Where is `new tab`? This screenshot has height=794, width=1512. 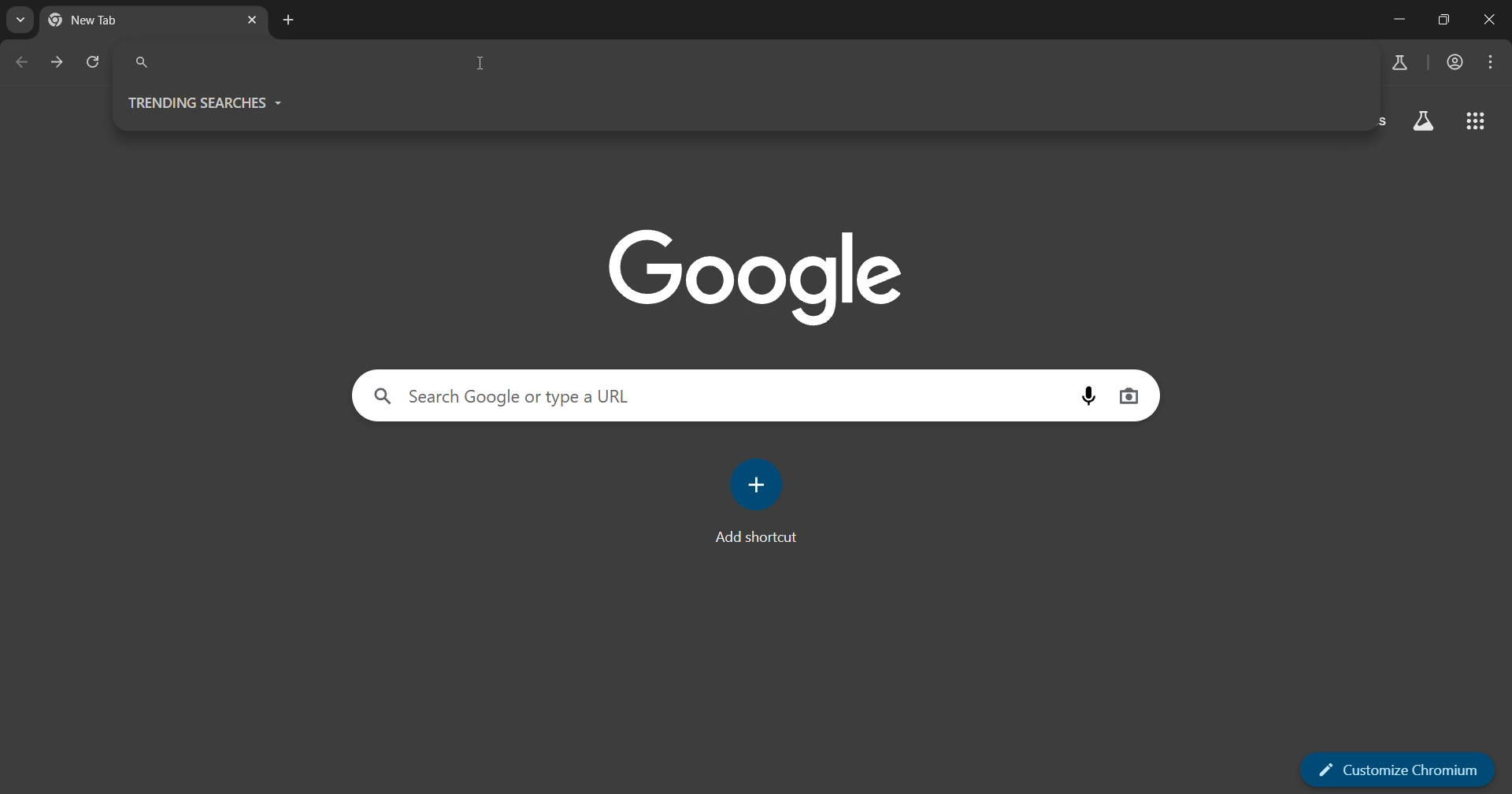 new tab is located at coordinates (292, 21).